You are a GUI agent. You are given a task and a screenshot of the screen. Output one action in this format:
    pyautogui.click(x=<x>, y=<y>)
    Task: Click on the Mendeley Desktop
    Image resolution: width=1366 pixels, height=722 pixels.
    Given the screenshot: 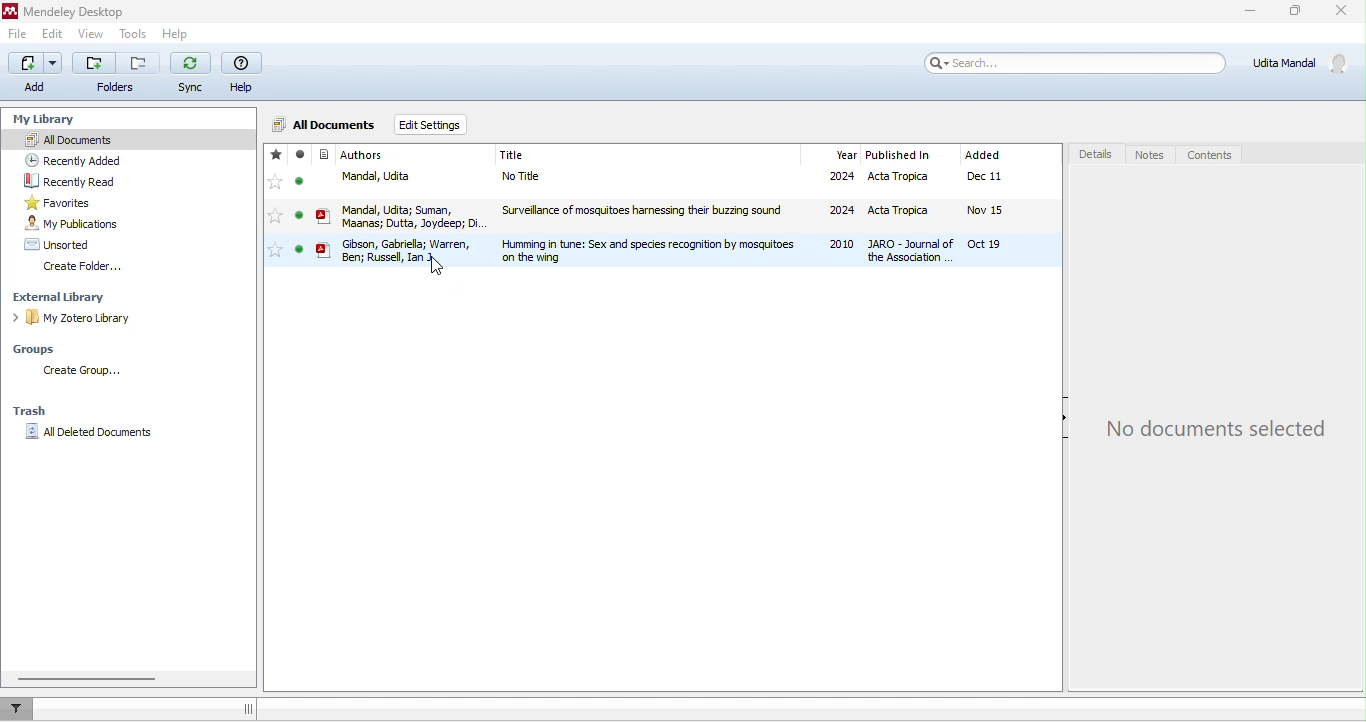 What is the action you would take?
    pyautogui.click(x=81, y=12)
    